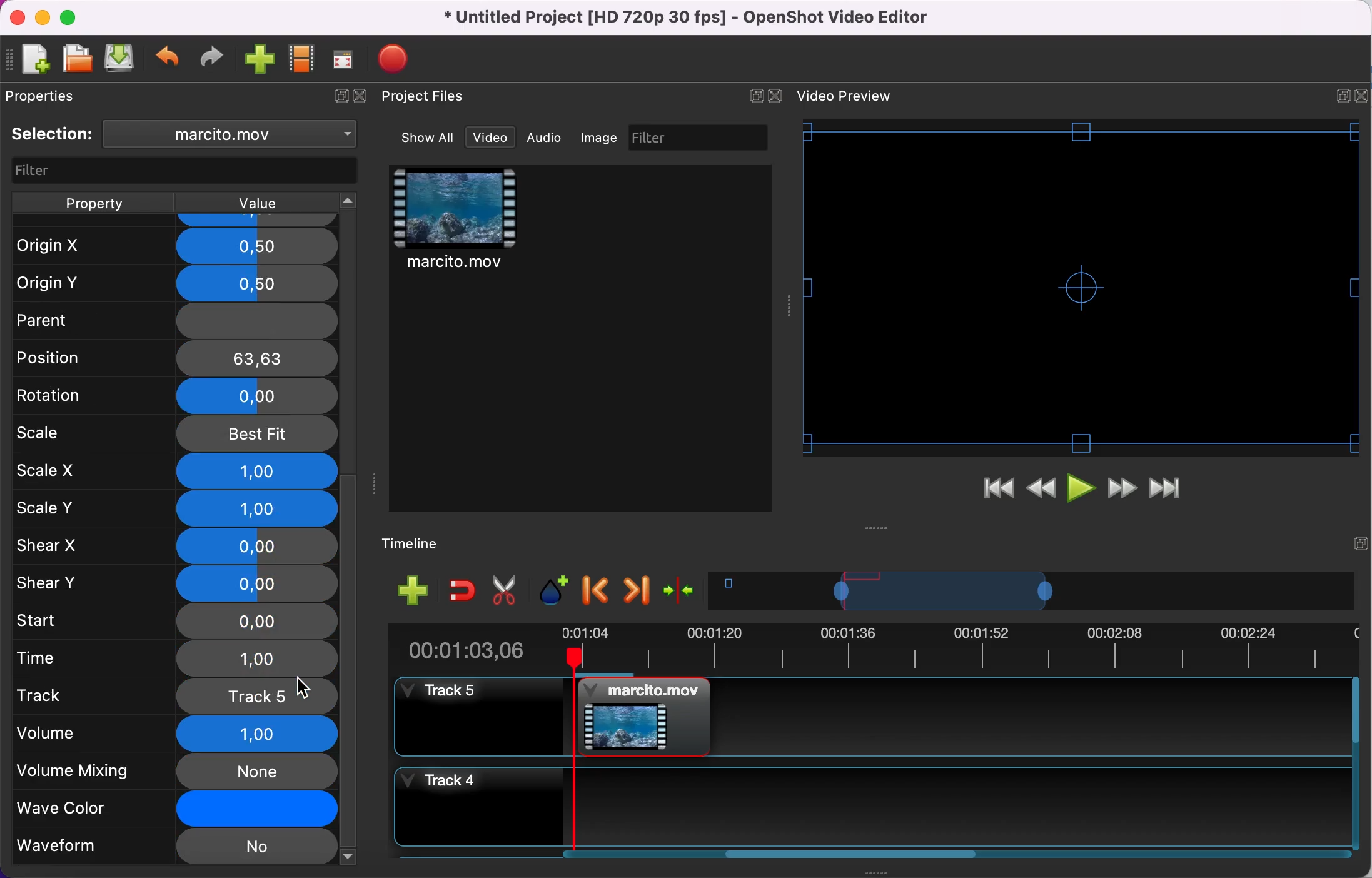  I want to click on Expand/Collapse, so click(1343, 96).